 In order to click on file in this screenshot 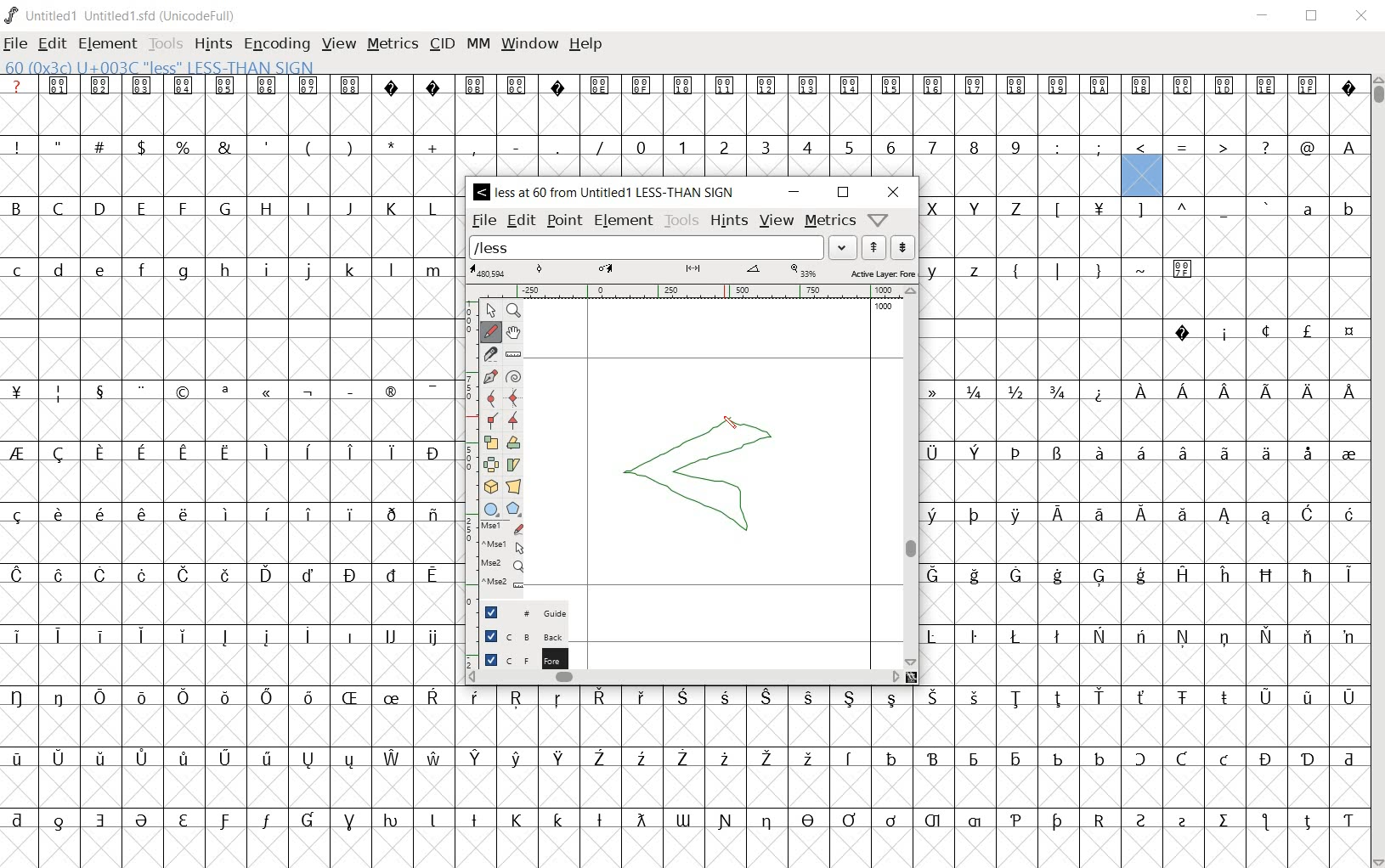, I will do `click(17, 44)`.